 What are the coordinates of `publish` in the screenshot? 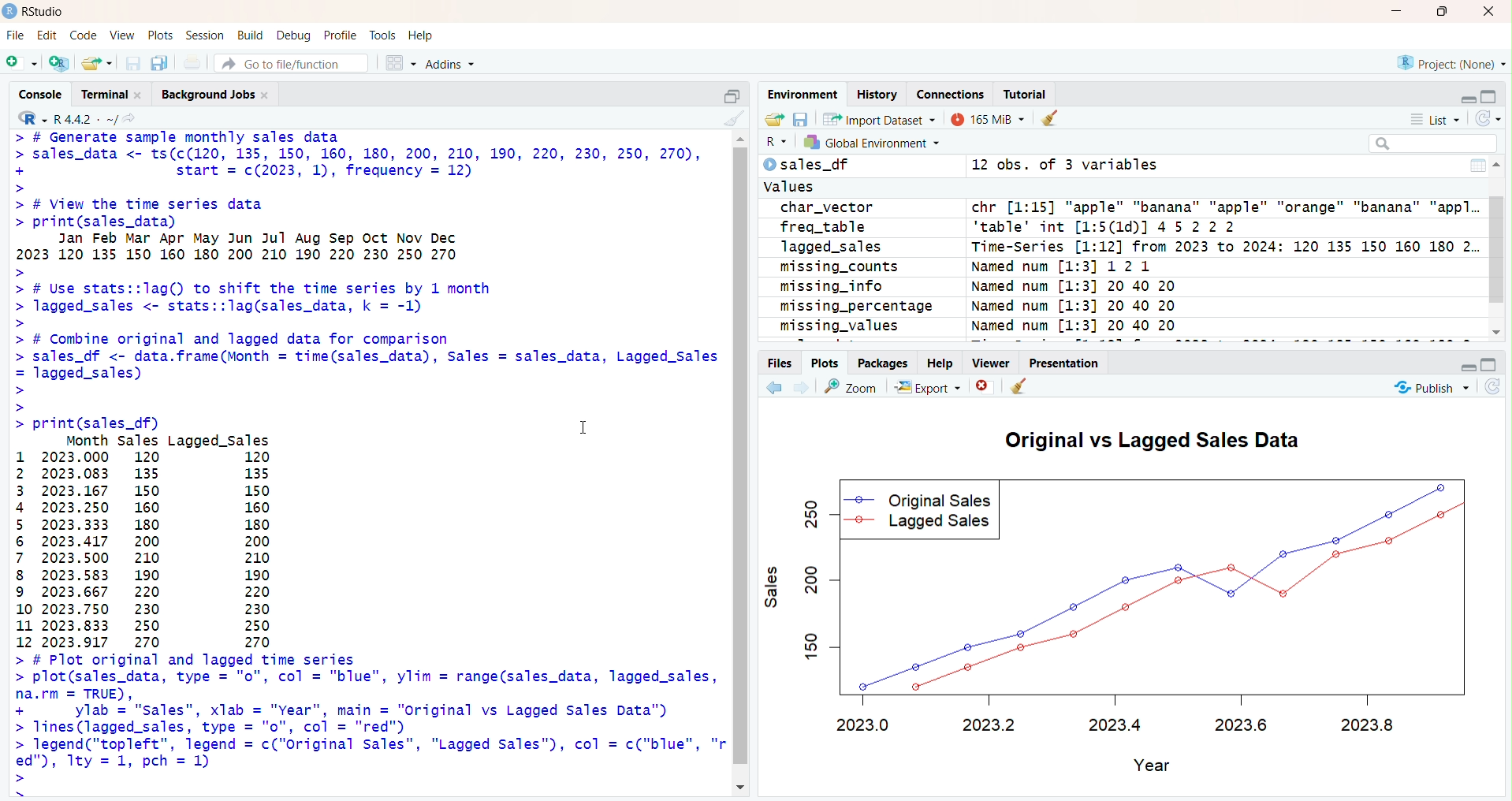 It's located at (1425, 387).